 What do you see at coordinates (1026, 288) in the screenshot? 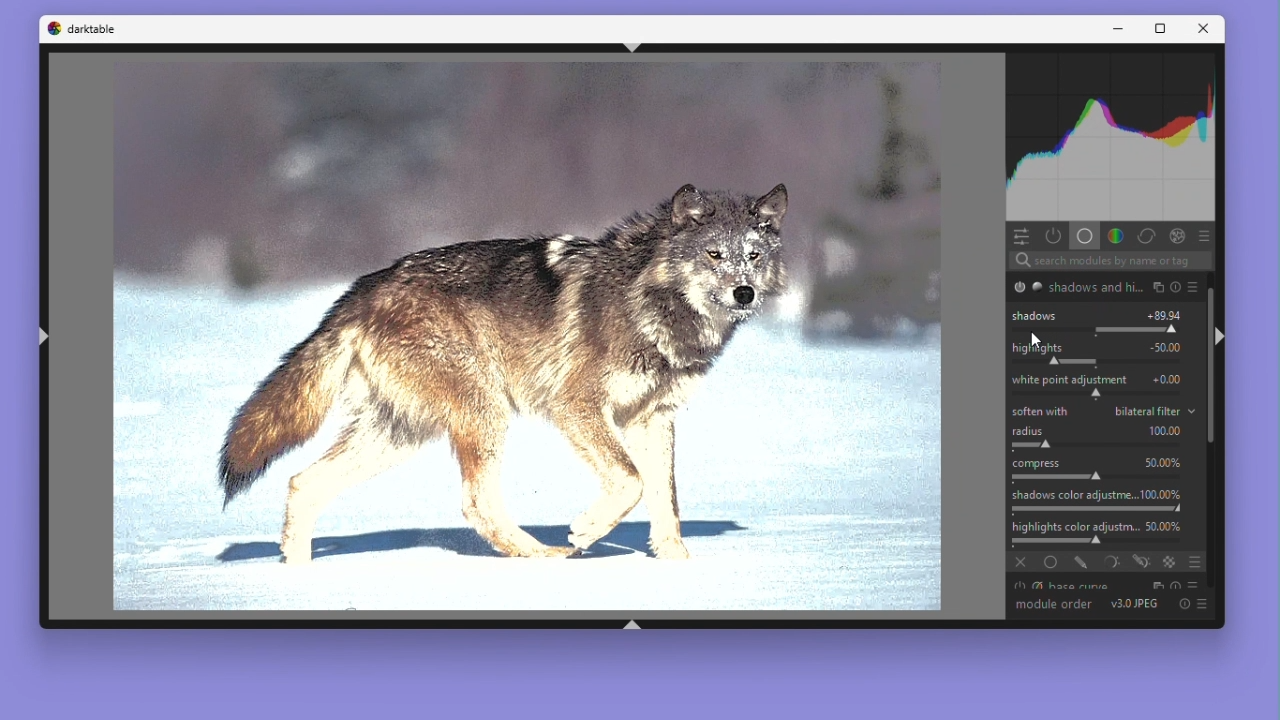
I see `'shadows and highlights' is switched on` at bounding box center [1026, 288].